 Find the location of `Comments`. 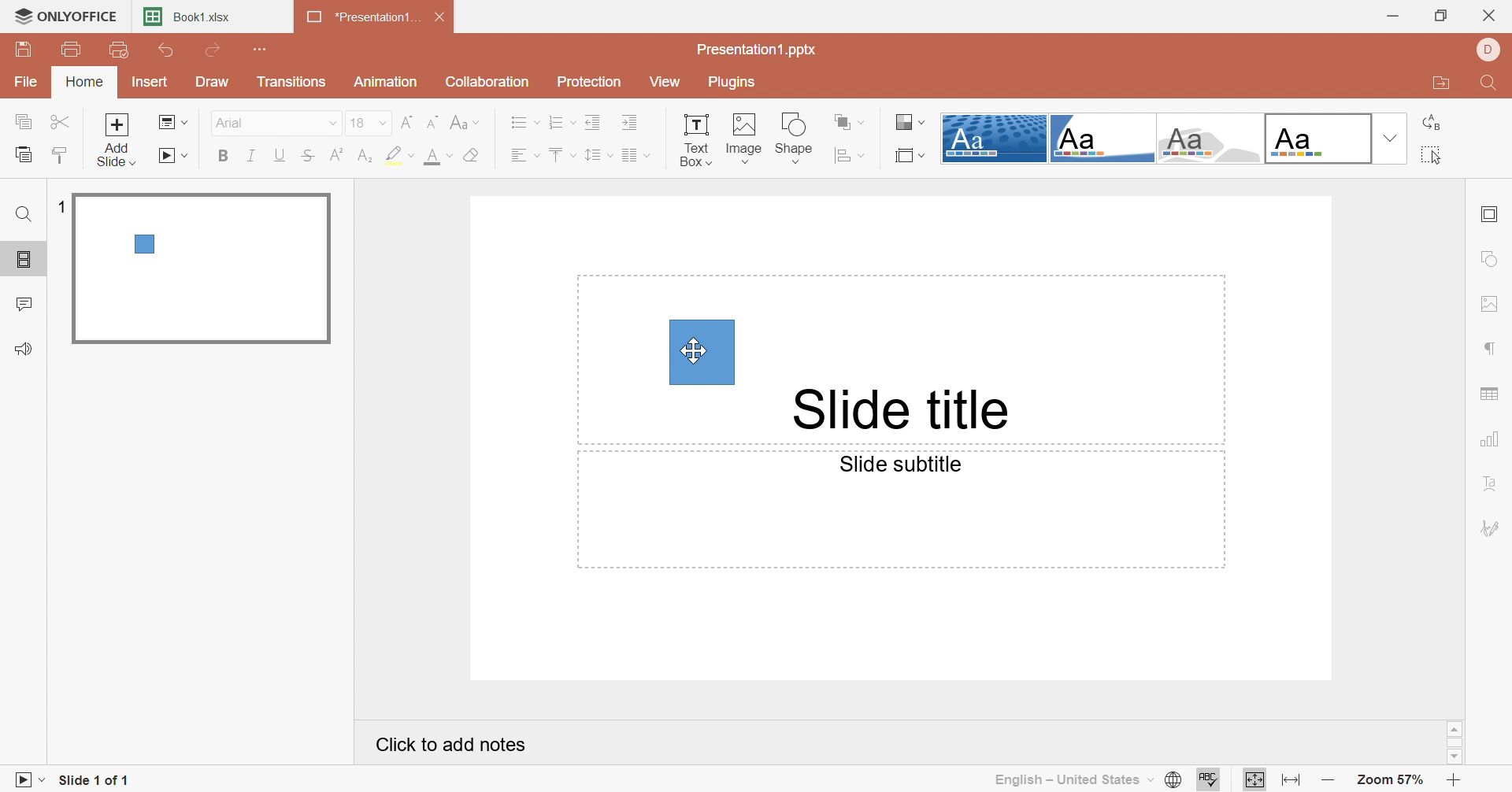

Comments is located at coordinates (23, 305).